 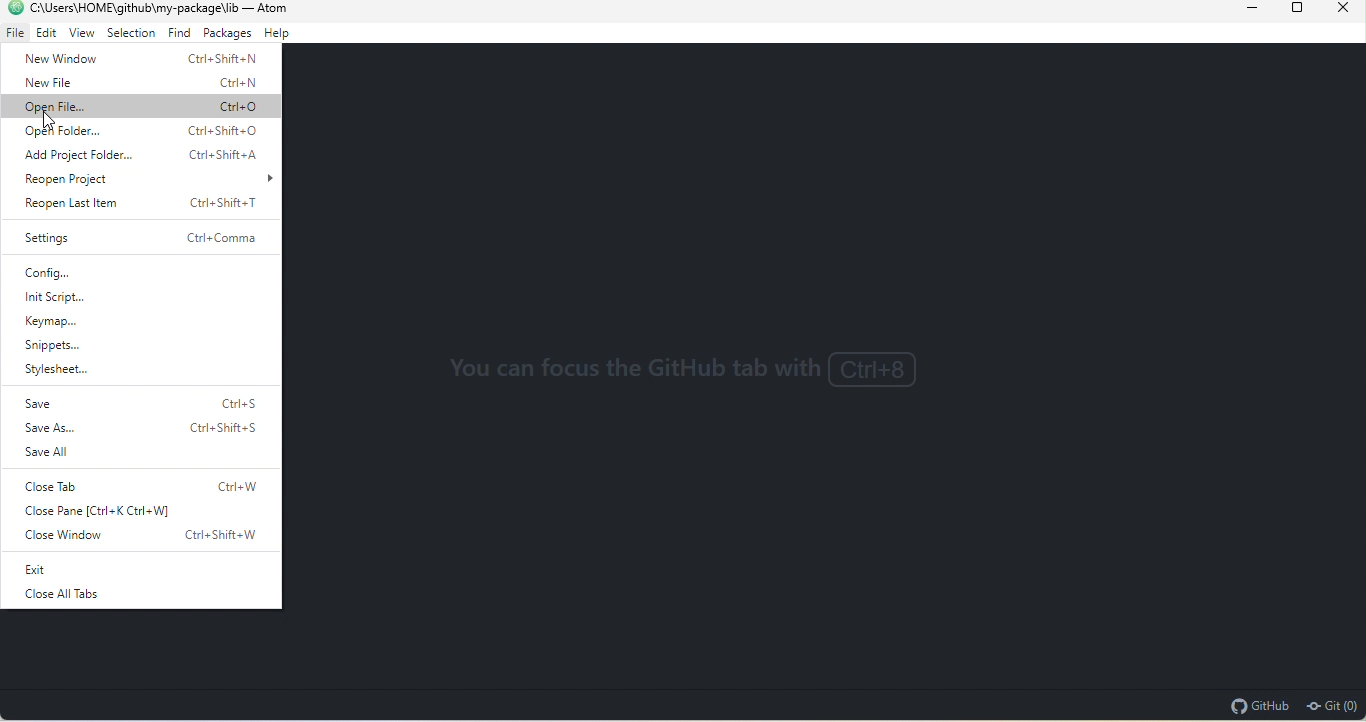 I want to click on reopen project, so click(x=148, y=180).